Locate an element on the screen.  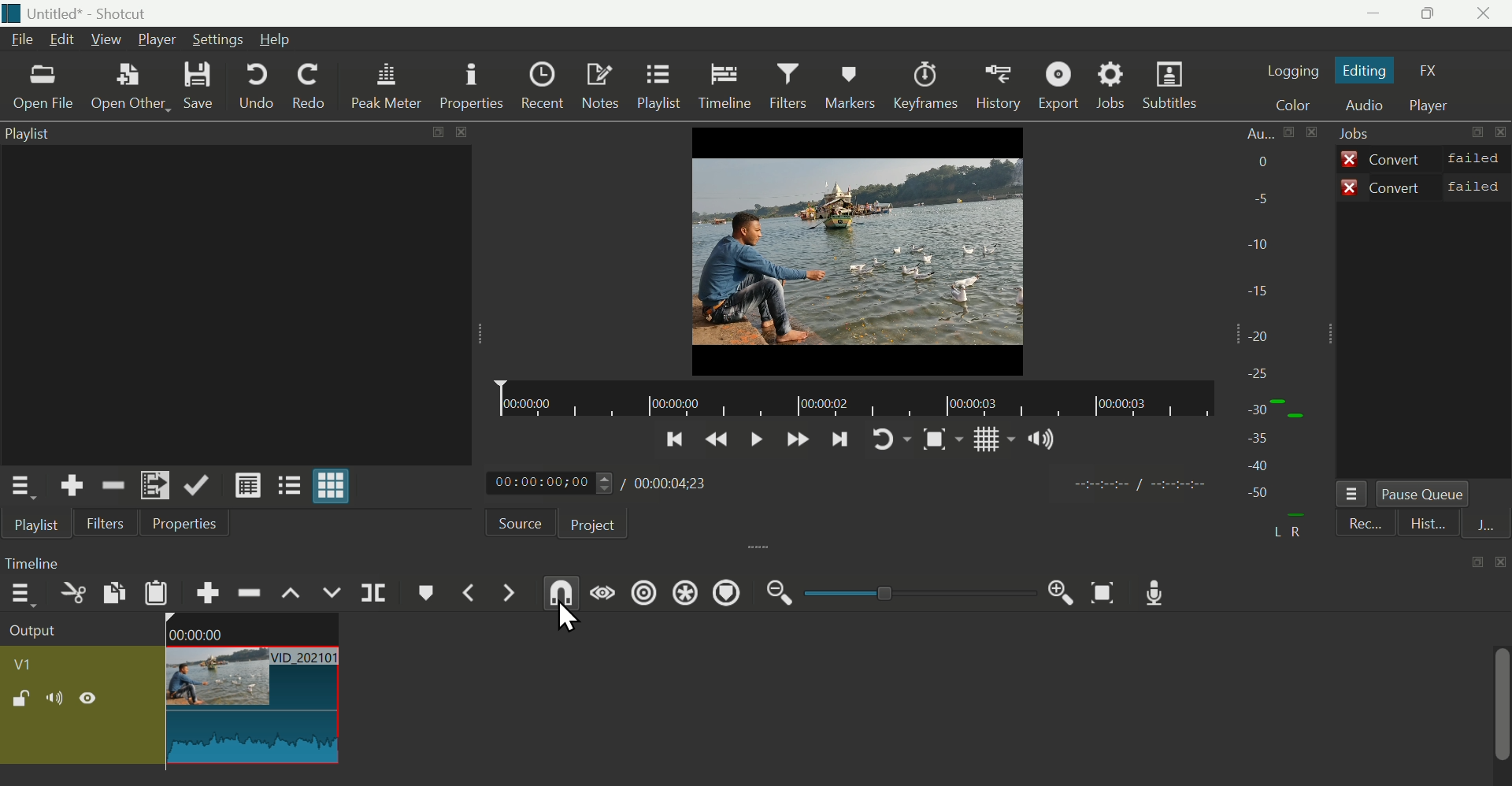
 is located at coordinates (23, 40).